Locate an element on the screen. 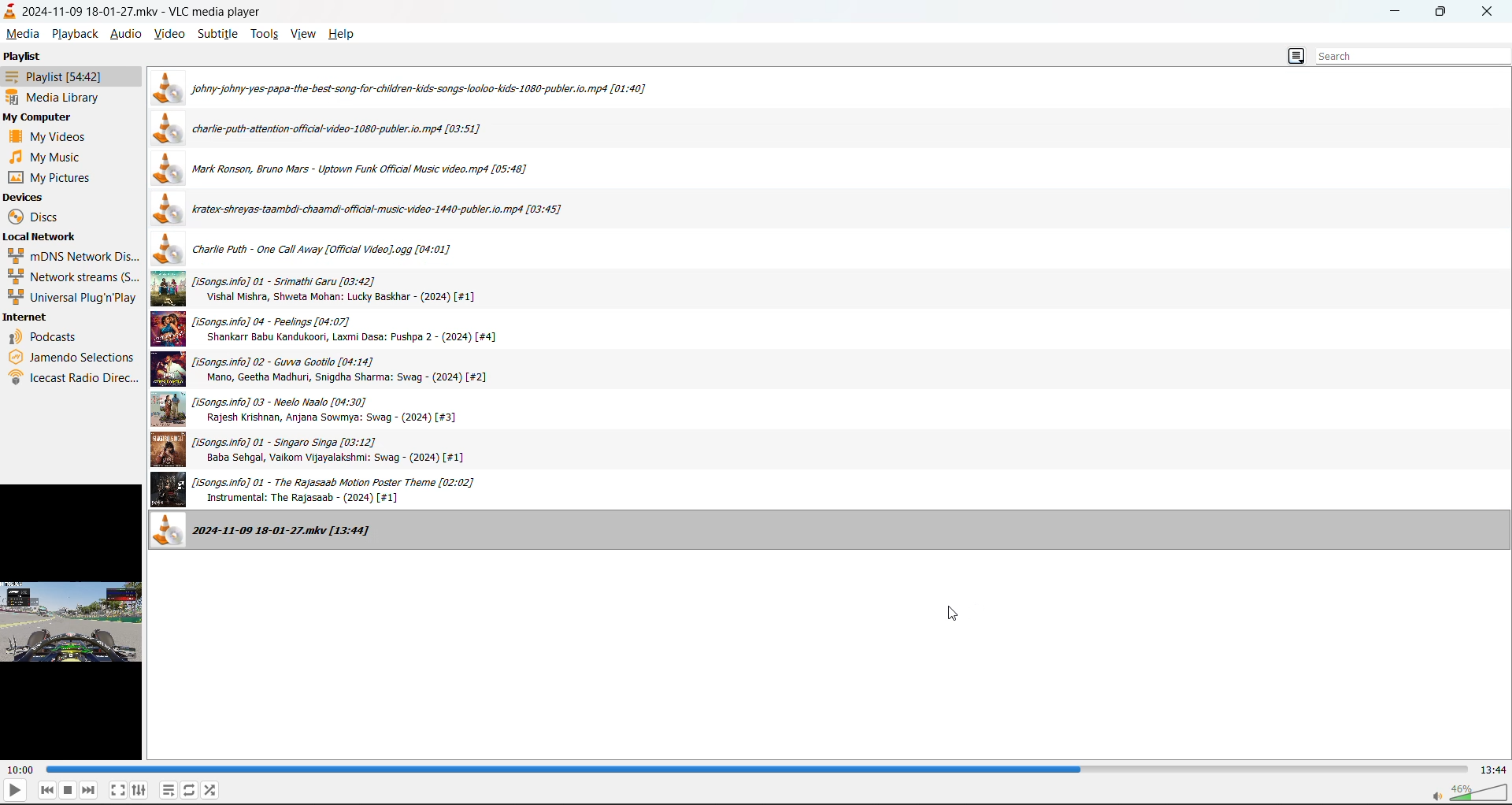  tracks without duration is located at coordinates (355, 170).